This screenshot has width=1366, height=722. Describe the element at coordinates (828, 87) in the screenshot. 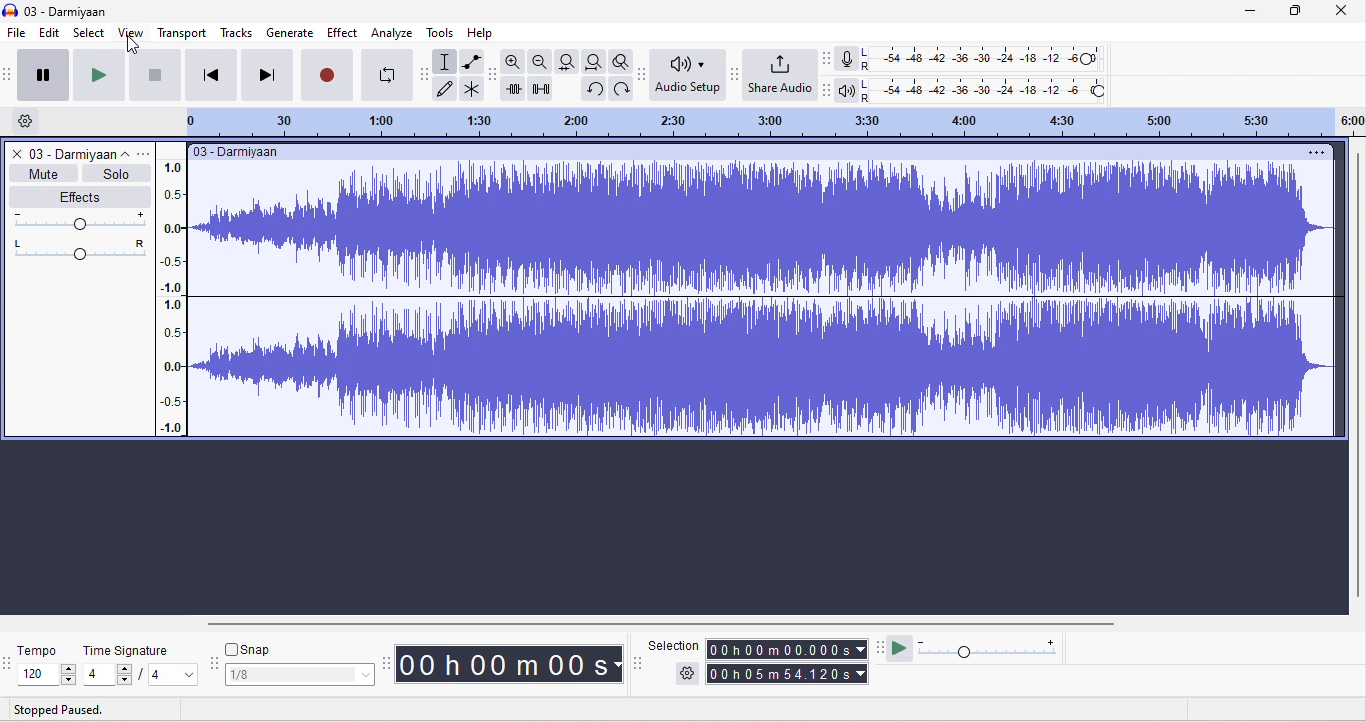

I see `audacity playback meter tool bar` at that location.